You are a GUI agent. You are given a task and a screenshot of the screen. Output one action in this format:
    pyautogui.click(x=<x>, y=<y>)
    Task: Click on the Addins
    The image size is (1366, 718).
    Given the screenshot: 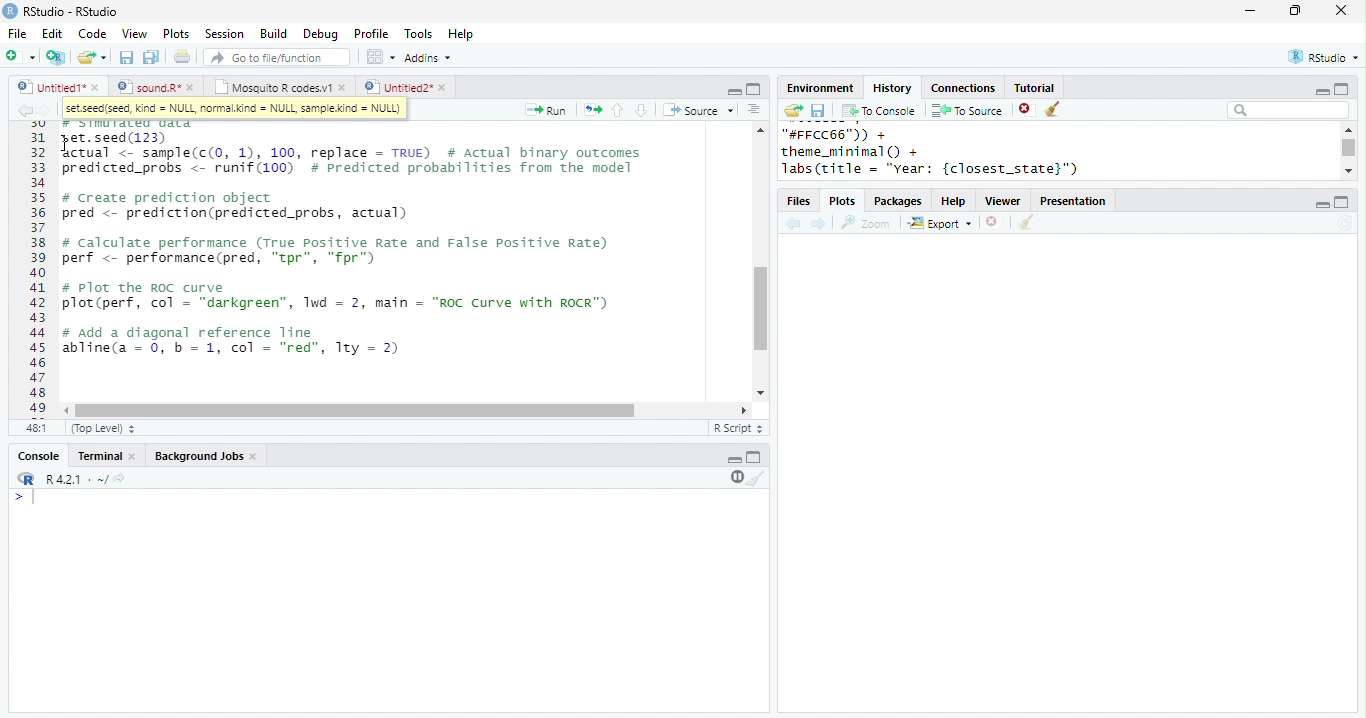 What is the action you would take?
    pyautogui.click(x=428, y=58)
    